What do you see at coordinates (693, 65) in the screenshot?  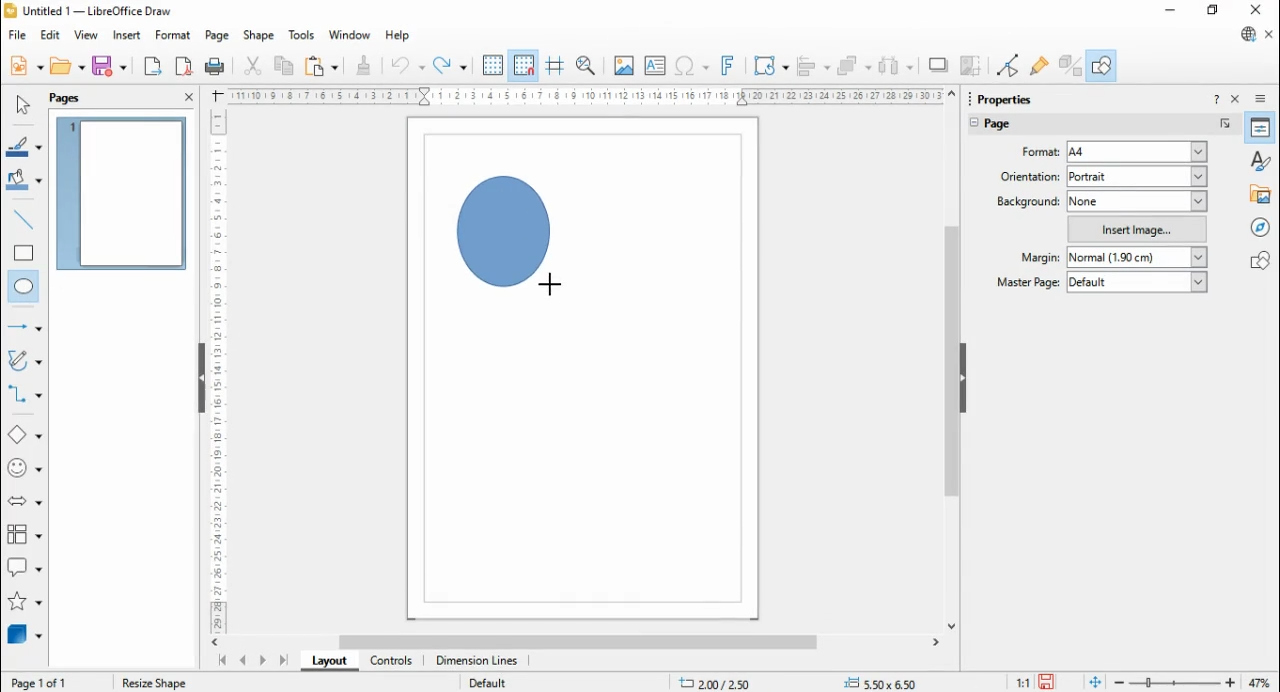 I see `insert special characters` at bounding box center [693, 65].